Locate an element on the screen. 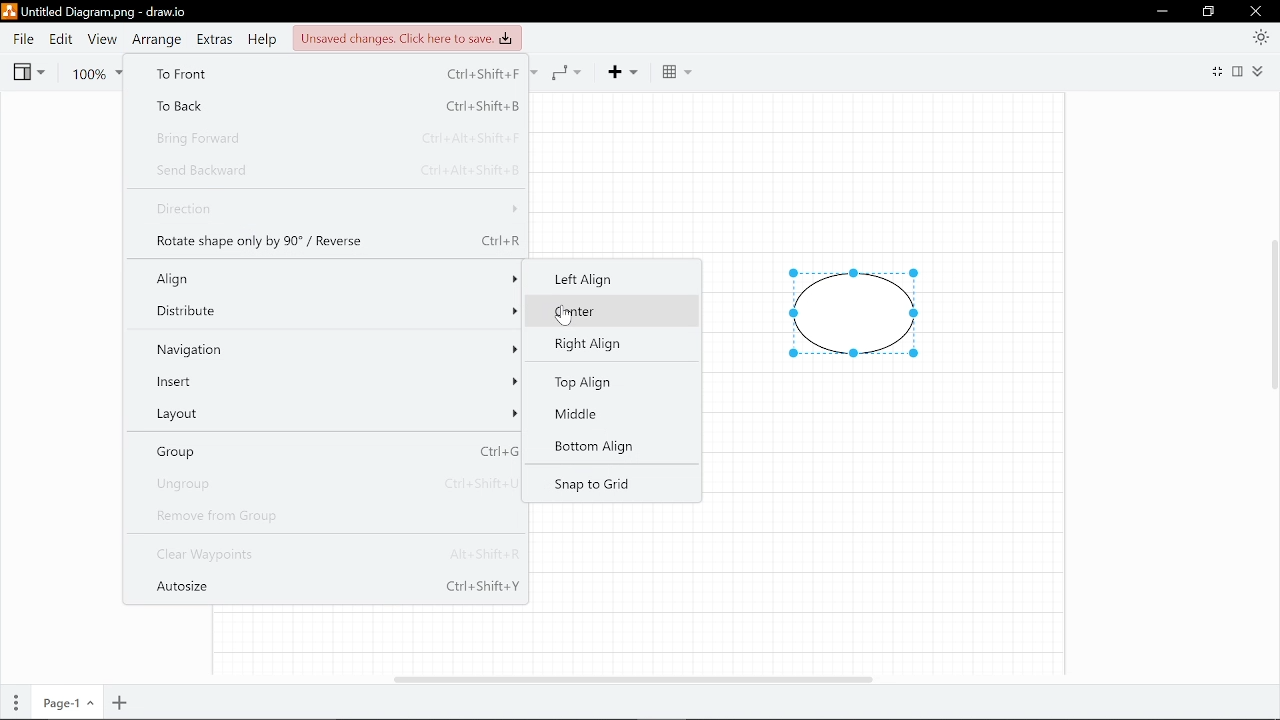  Current page is located at coordinates (65, 704).